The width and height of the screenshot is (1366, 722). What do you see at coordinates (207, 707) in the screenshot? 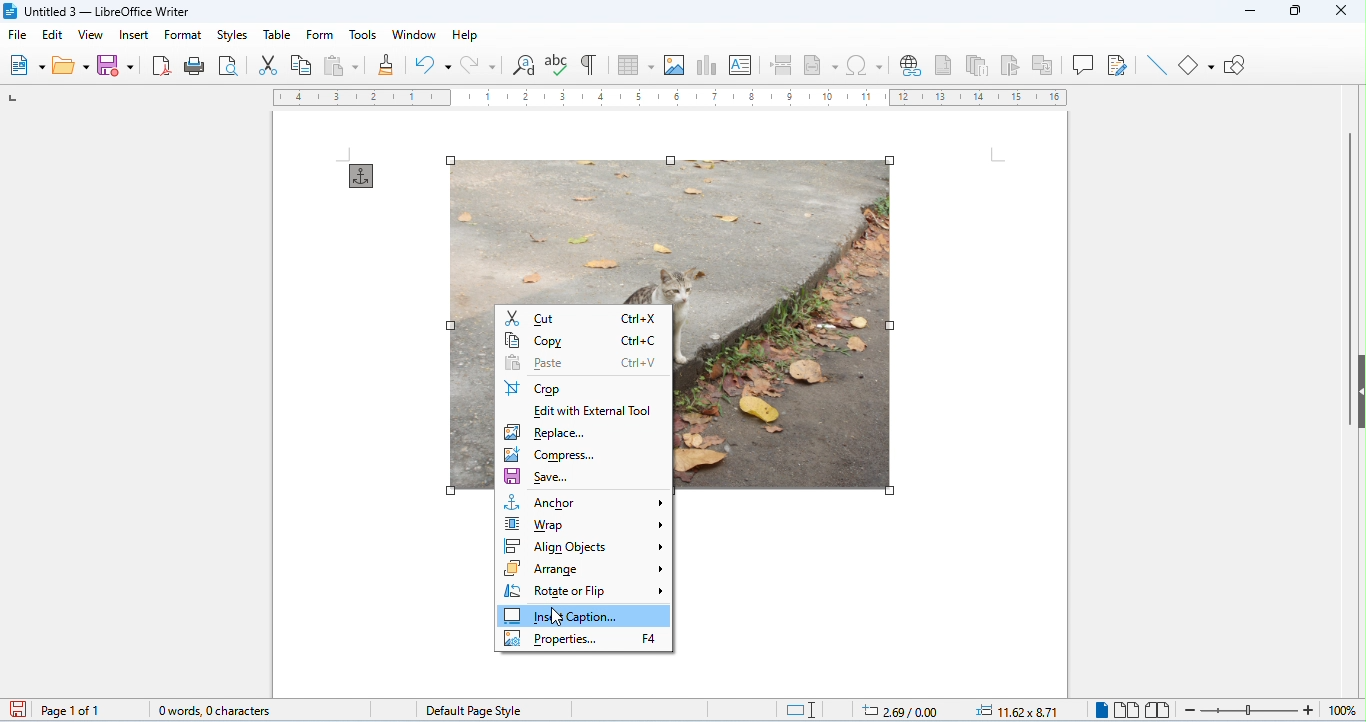
I see `word count` at bounding box center [207, 707].